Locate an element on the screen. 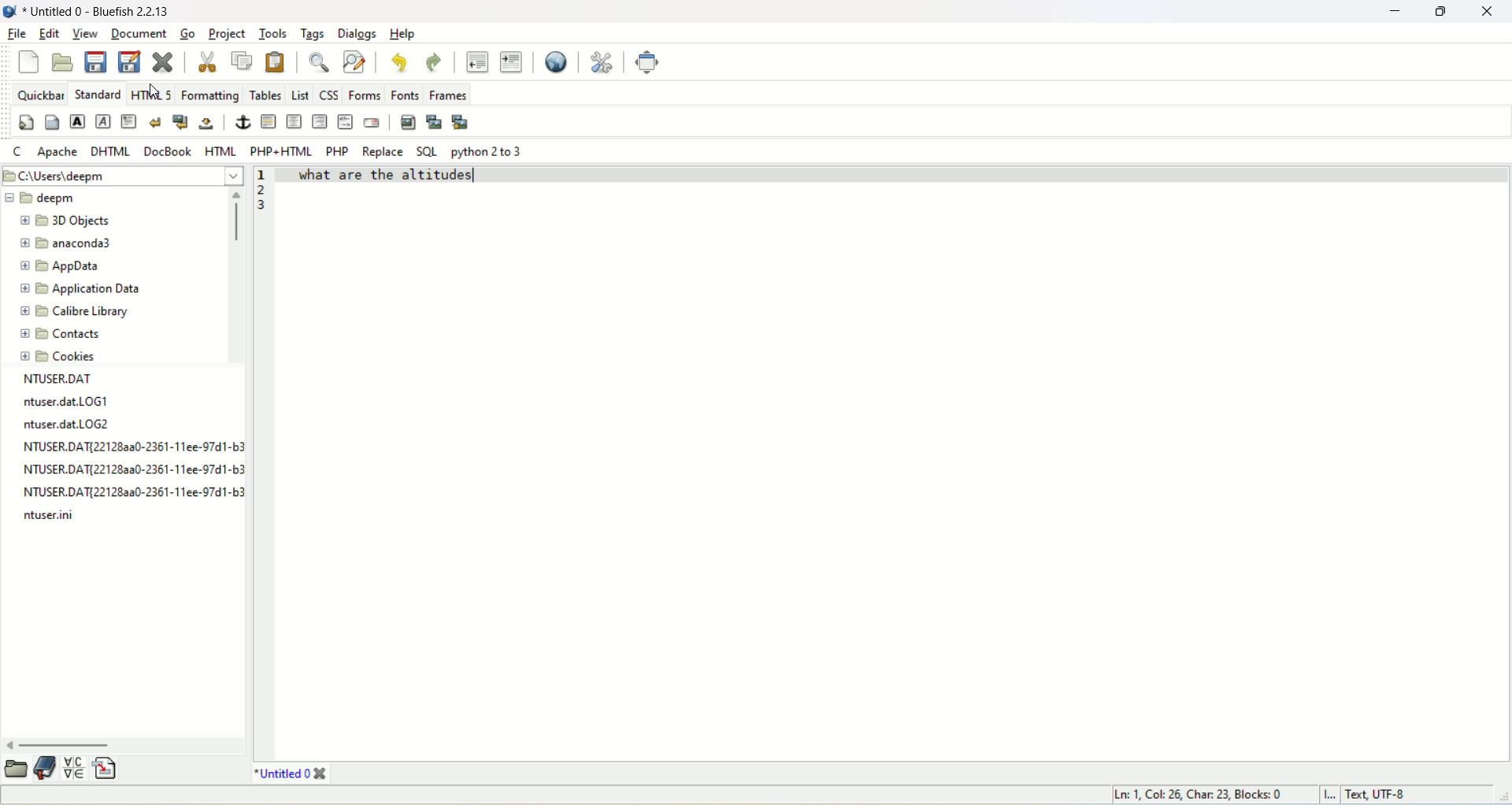 The height and width of the screenshot is (805, 1512). CSS is located at coordinates (328, 95).